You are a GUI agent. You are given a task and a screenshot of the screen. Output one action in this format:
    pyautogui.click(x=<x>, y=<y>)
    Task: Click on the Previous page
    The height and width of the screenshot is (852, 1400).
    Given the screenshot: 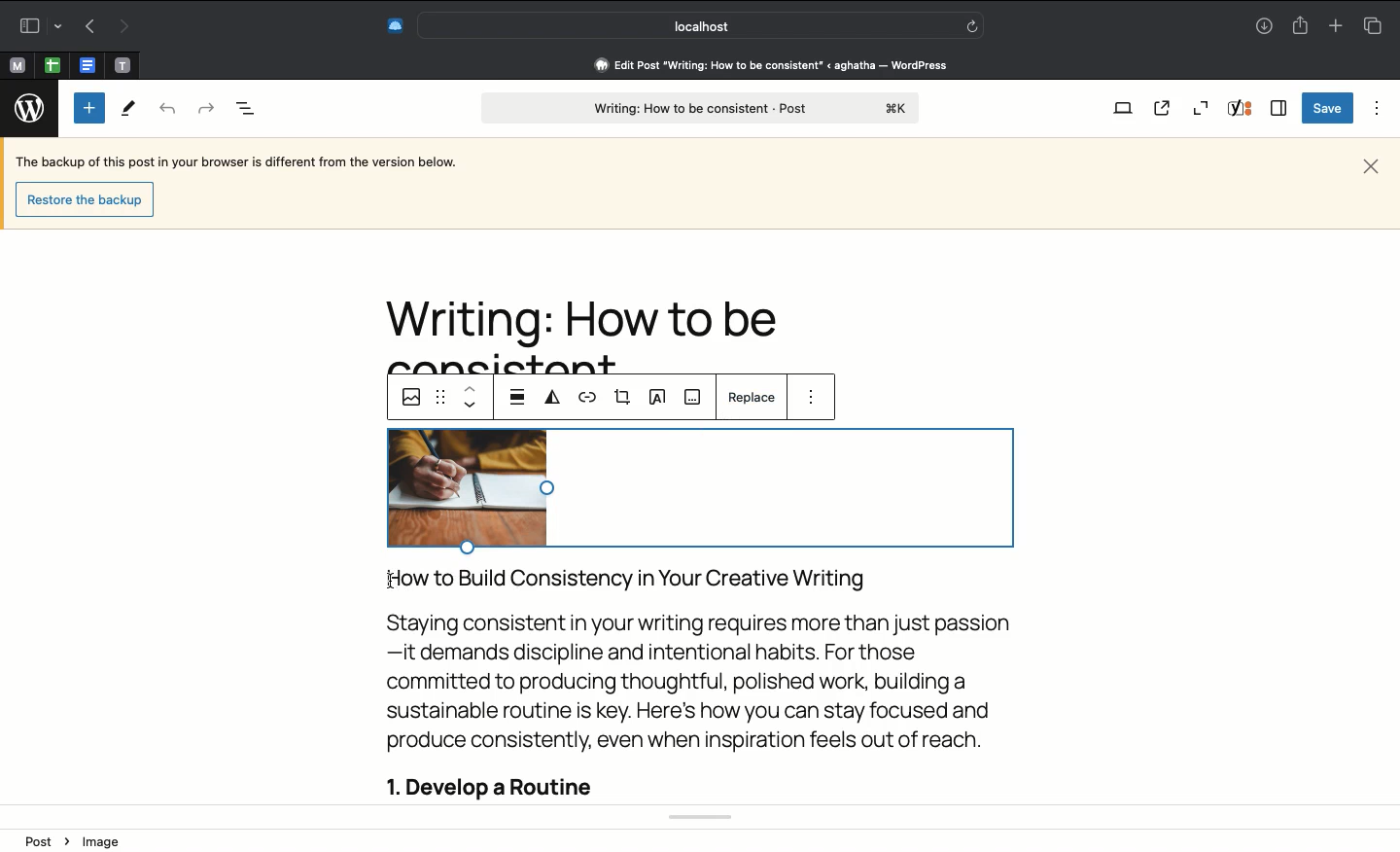 What is the action you would take?
    pyautogui.click(x=87, y=28)
    